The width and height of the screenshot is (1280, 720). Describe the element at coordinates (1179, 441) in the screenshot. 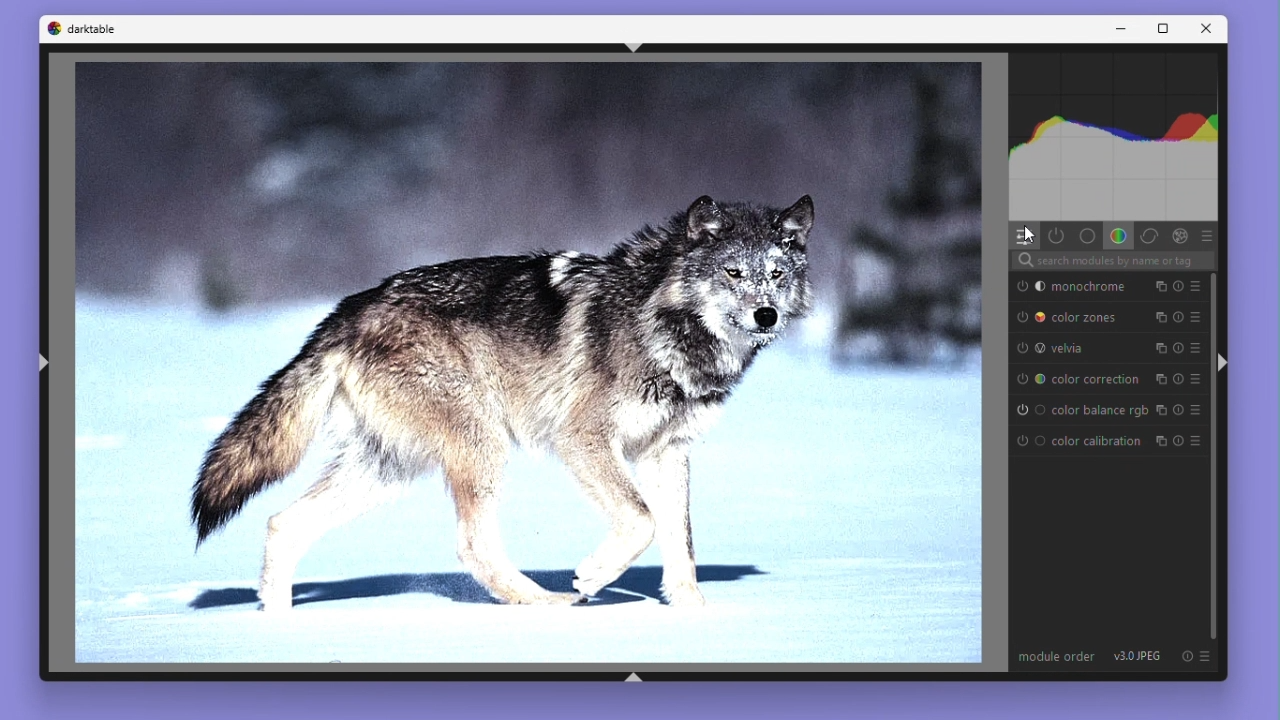

I see `reset` at that location.